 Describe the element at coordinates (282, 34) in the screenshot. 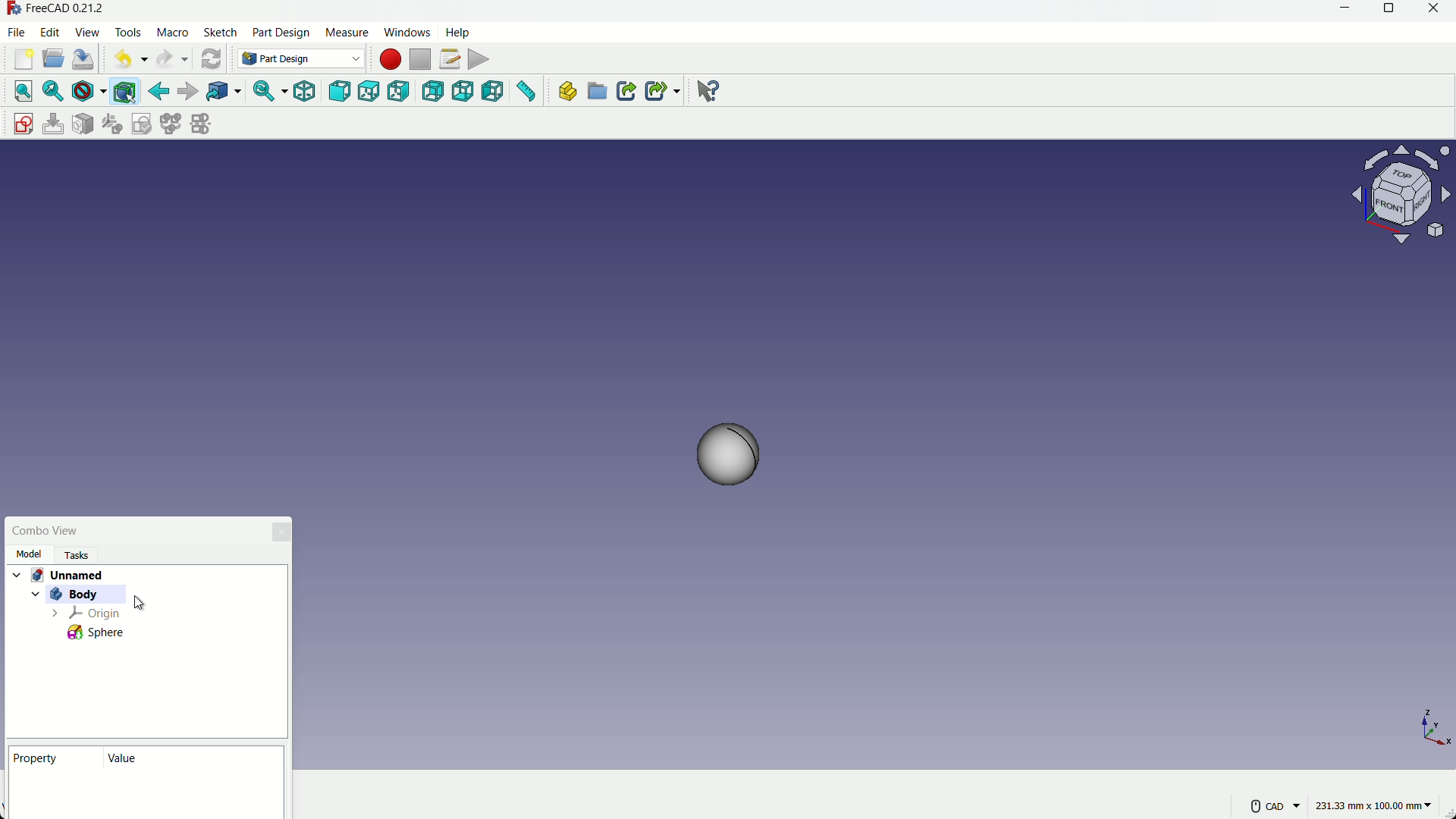

I see `part design menu` at that location.